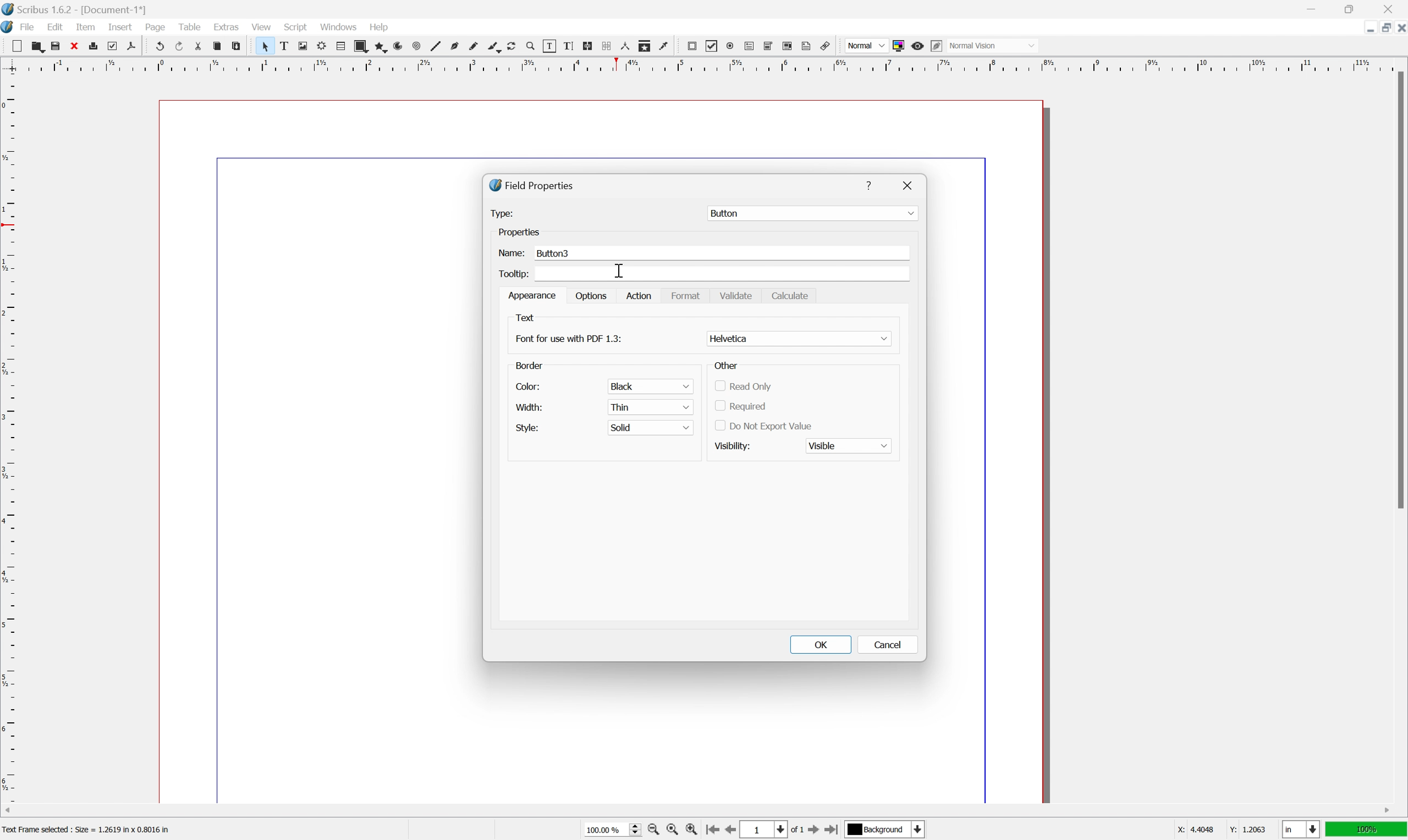 This screenshot has width=1408, height=840. Describe the element at coordinates (543, 231) in the screenshot. I see `Properties` at that location.